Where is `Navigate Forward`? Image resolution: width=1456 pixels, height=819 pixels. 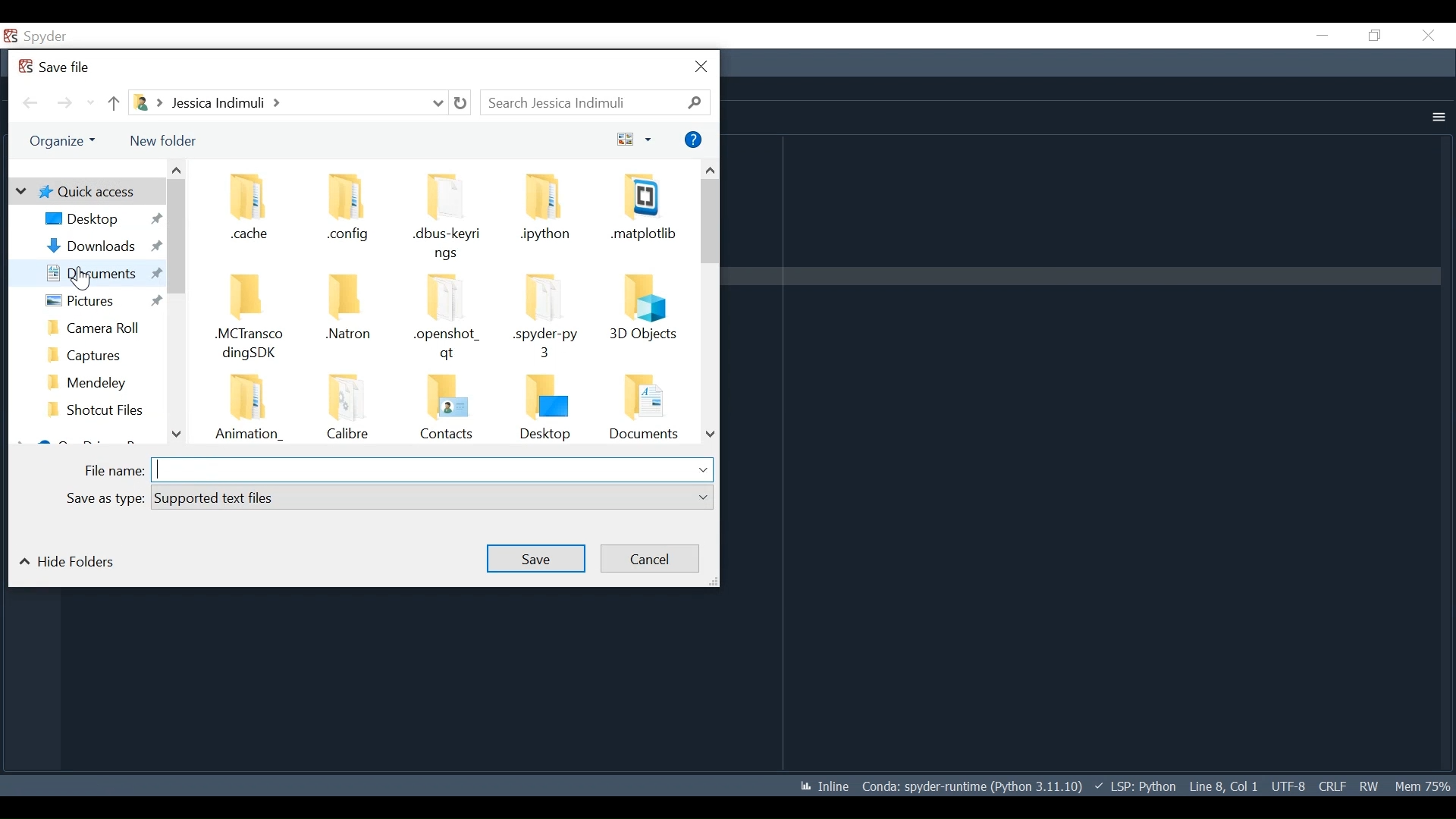 Navigate Forward is located at coordinates (64, 104).